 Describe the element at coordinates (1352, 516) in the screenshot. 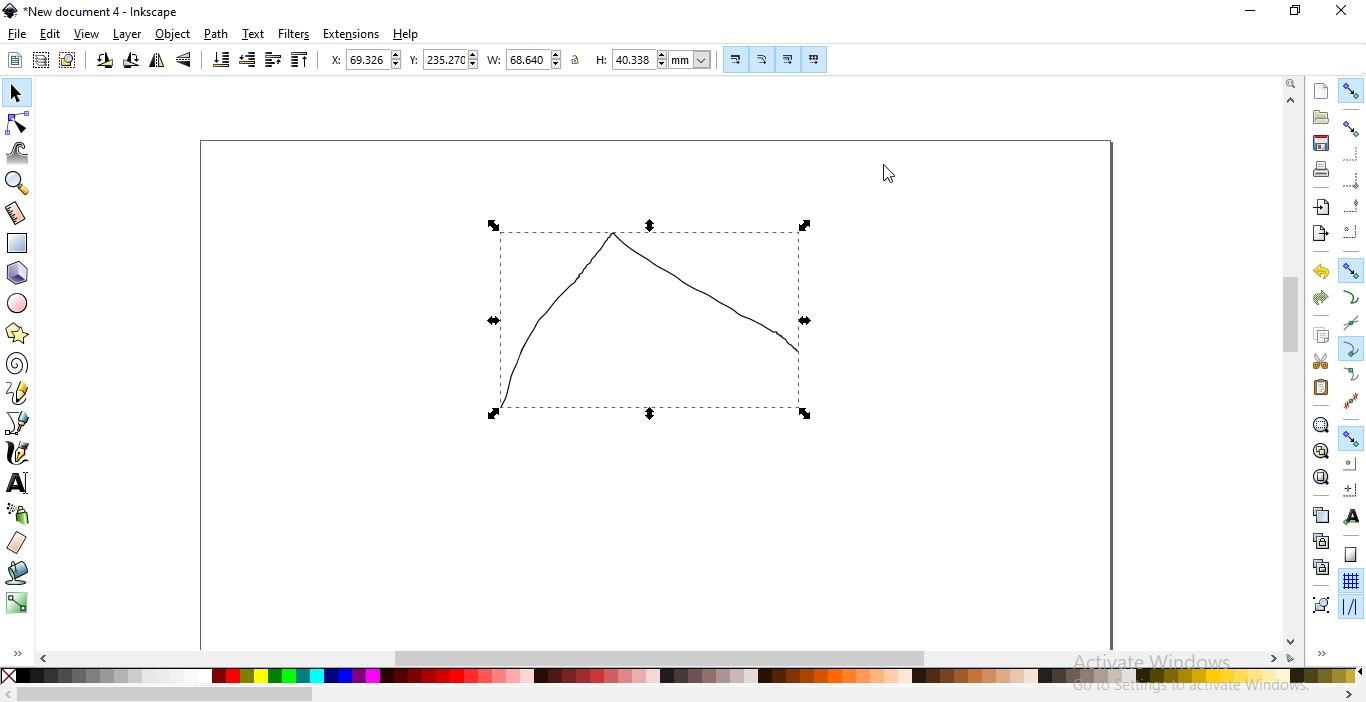

I see `snap text anchors and baseline` at that location.